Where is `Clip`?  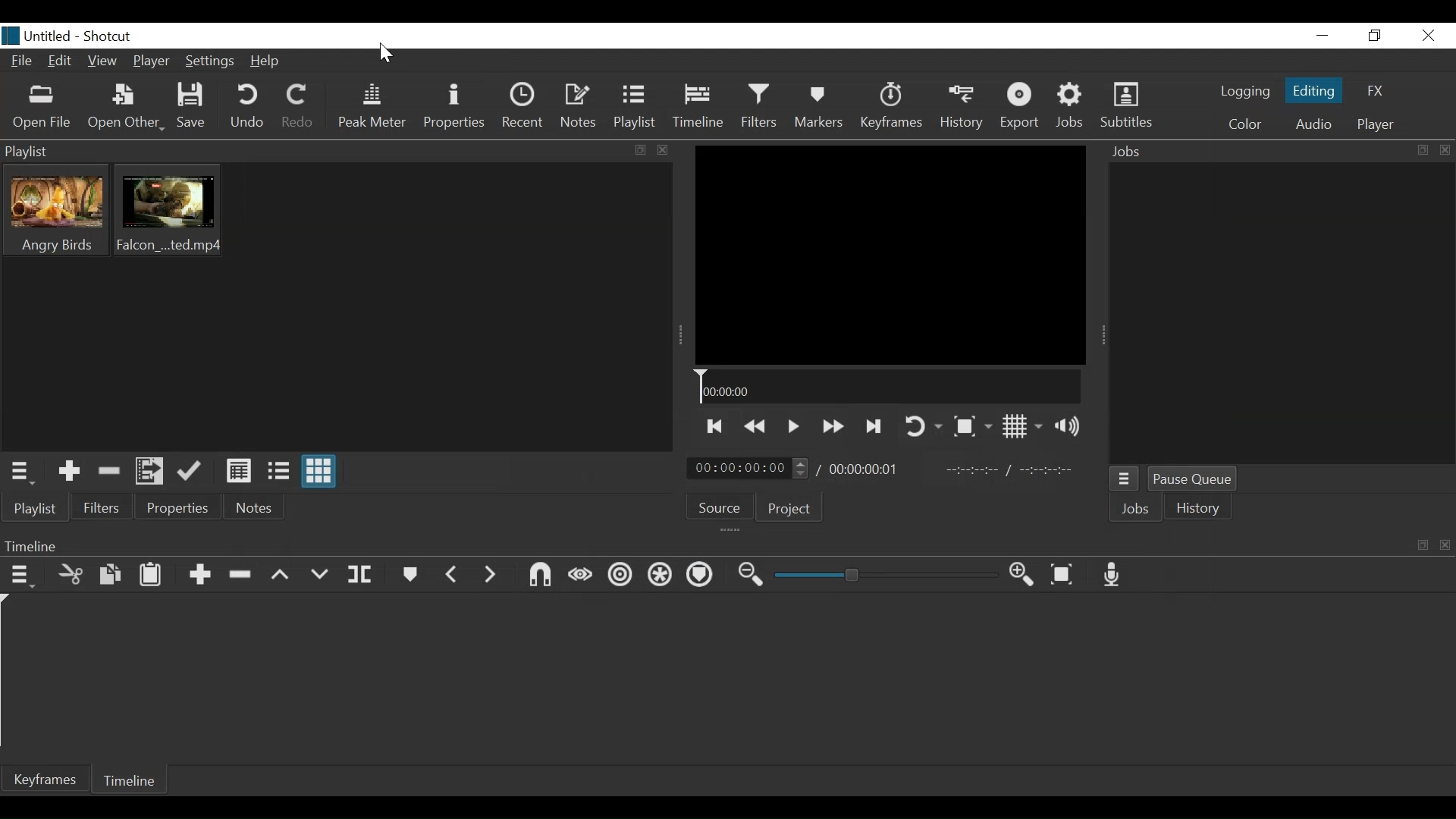 Clip is located at coordinates (56, 210).